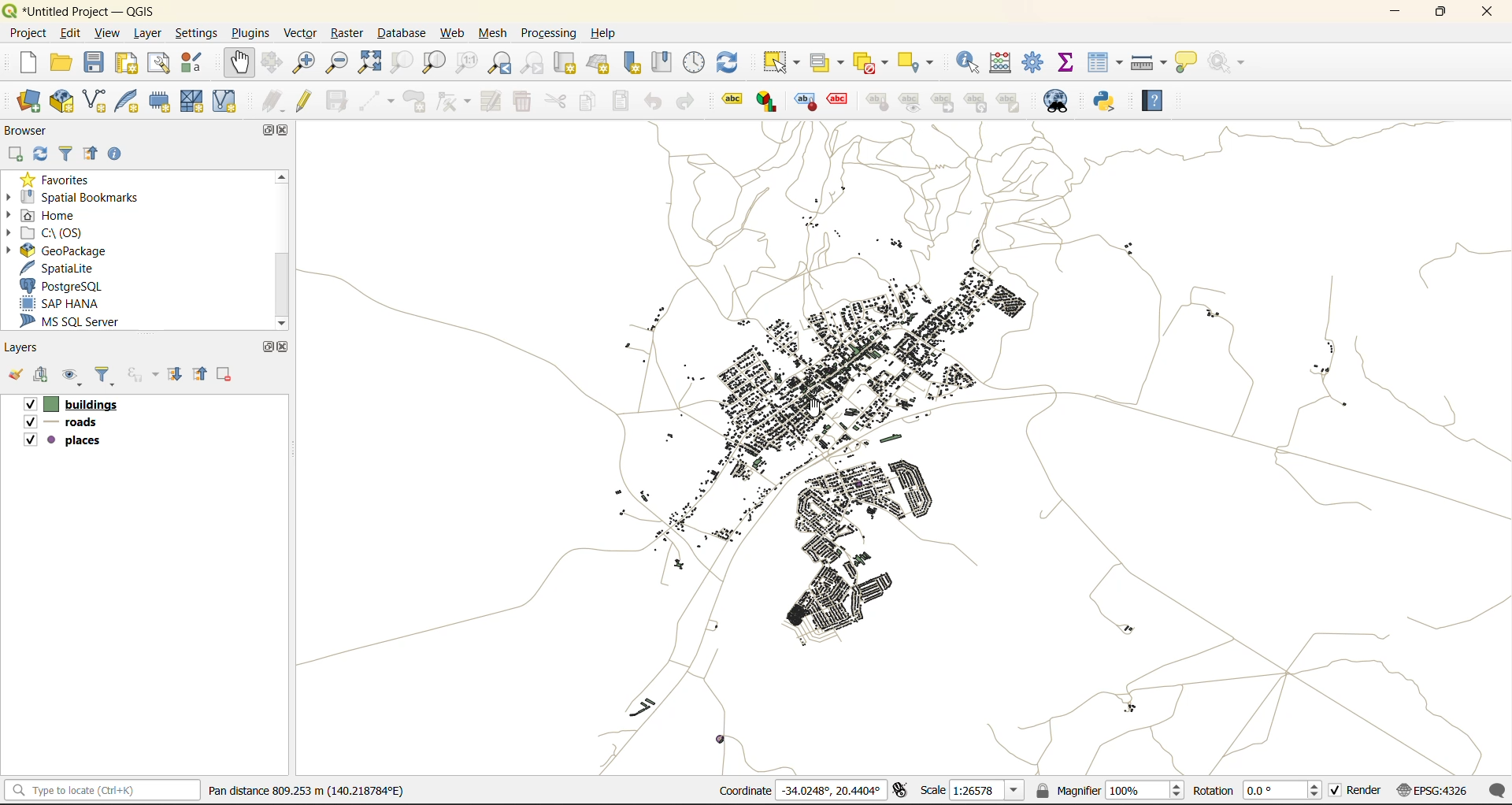 This screenshot has height=805, width=1512. Describe the element at coordinates (28, 128) in the screenshot. I see `browser` at that location.